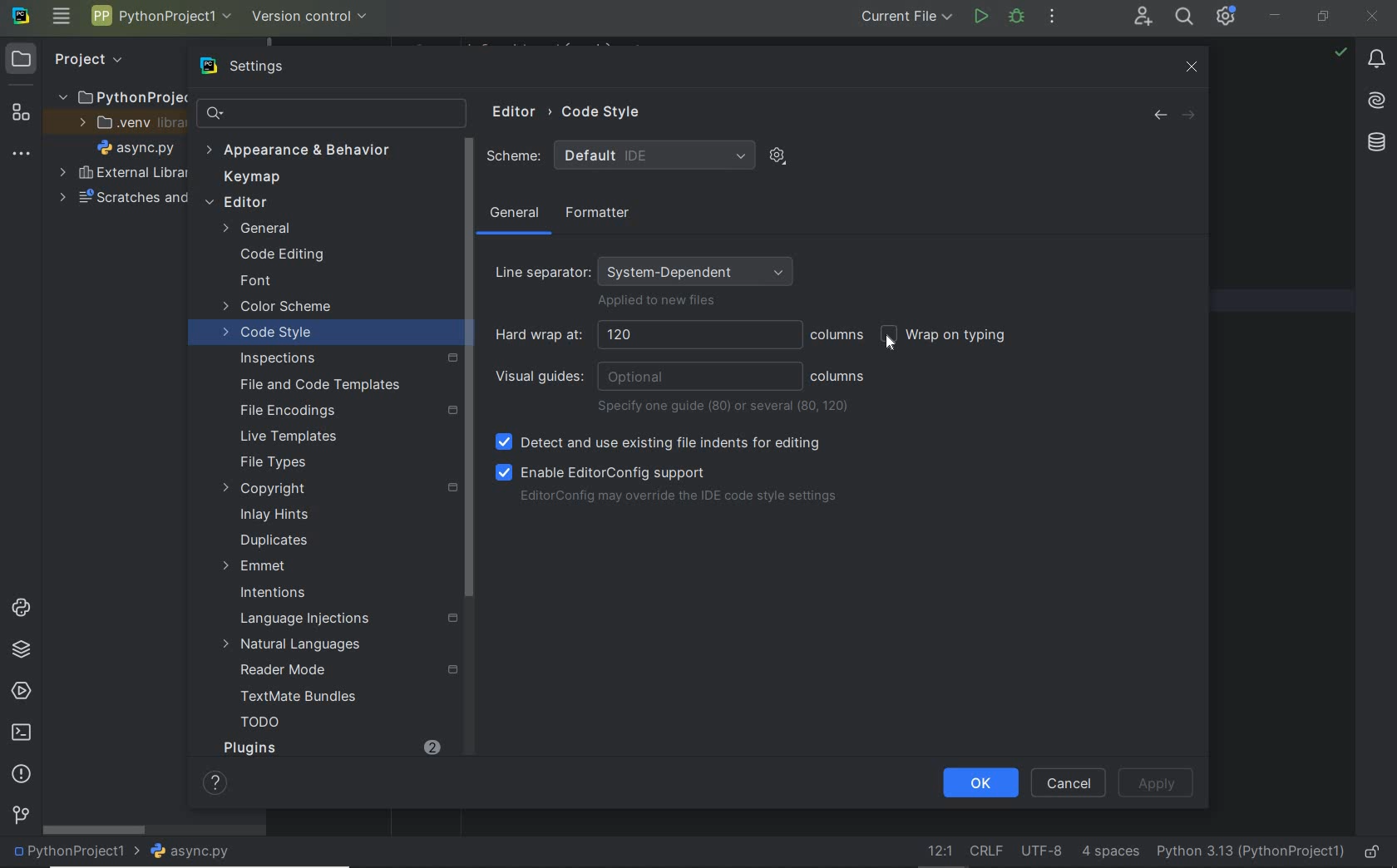 The image size is (1397, 868). I want to click on Formatter, so click(595, 214).